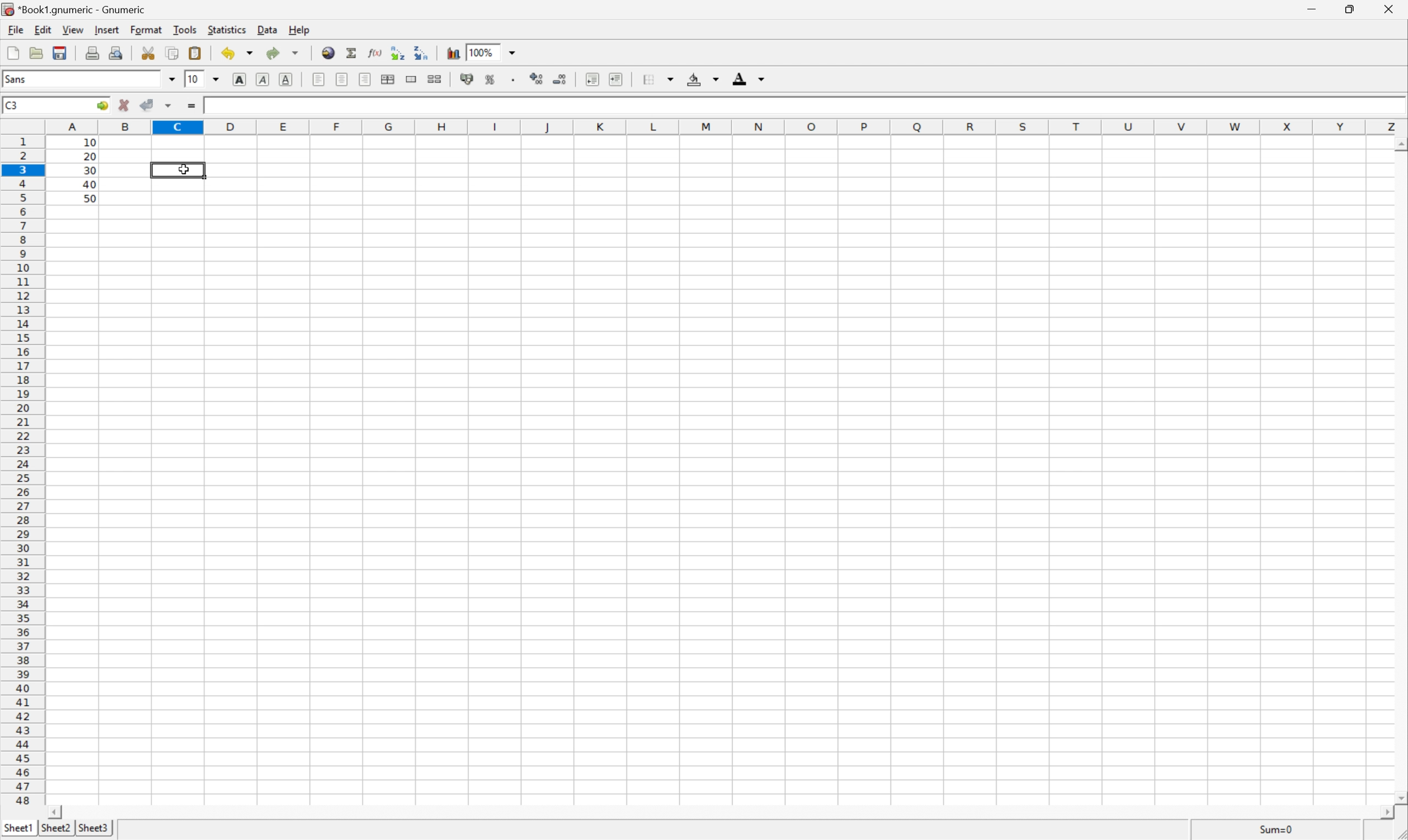 Image resolution: width=1408 pixels, height=840 pixels. I want to click on Sum into the current cell, so click(352, 53).